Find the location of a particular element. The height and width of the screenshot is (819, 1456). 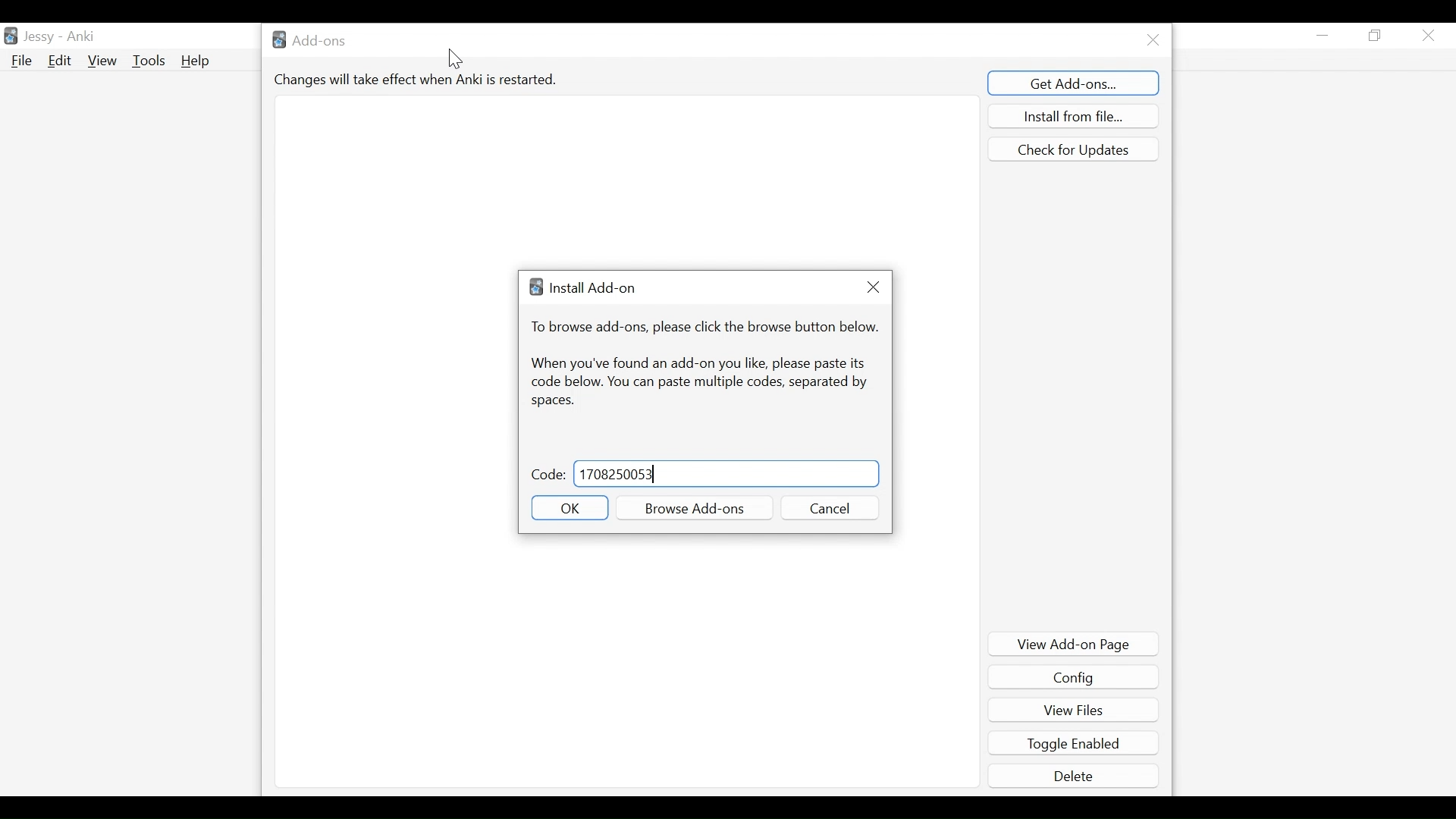

User Name is located at coordinates (61, 35).